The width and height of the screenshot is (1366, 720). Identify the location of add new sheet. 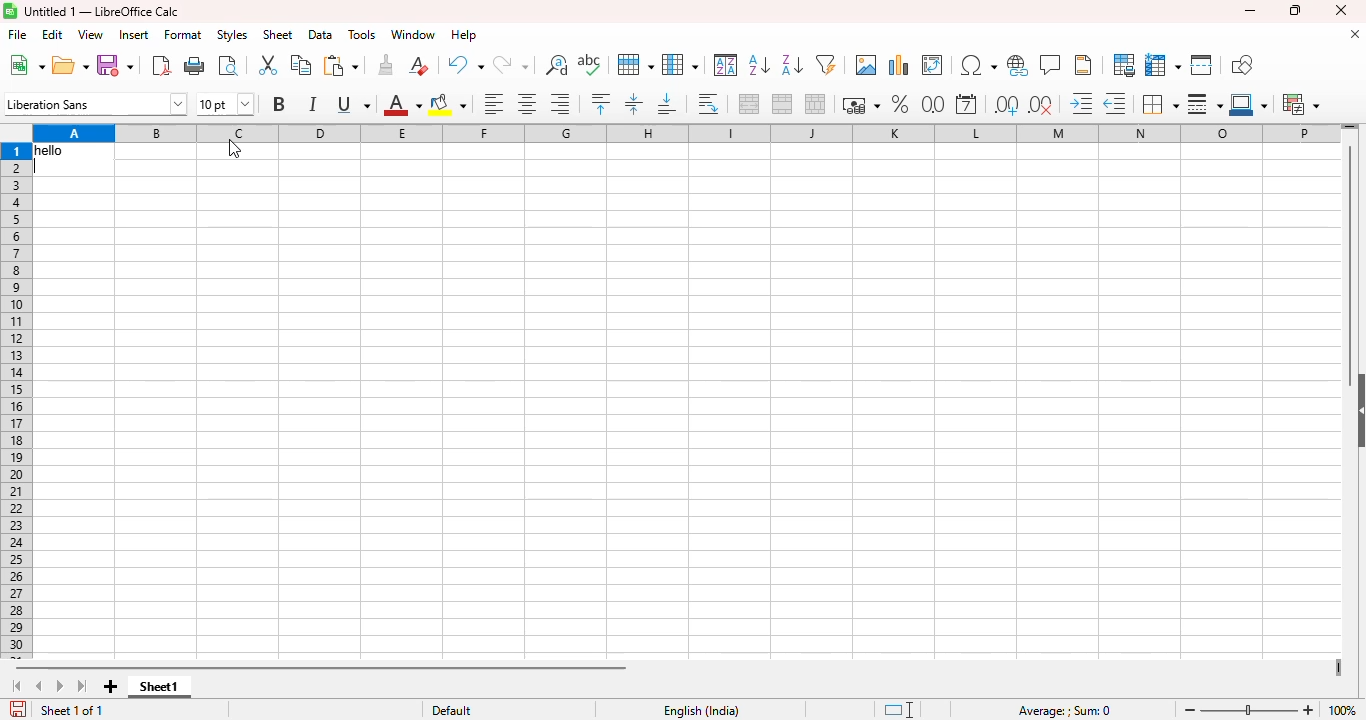
(111, 686).